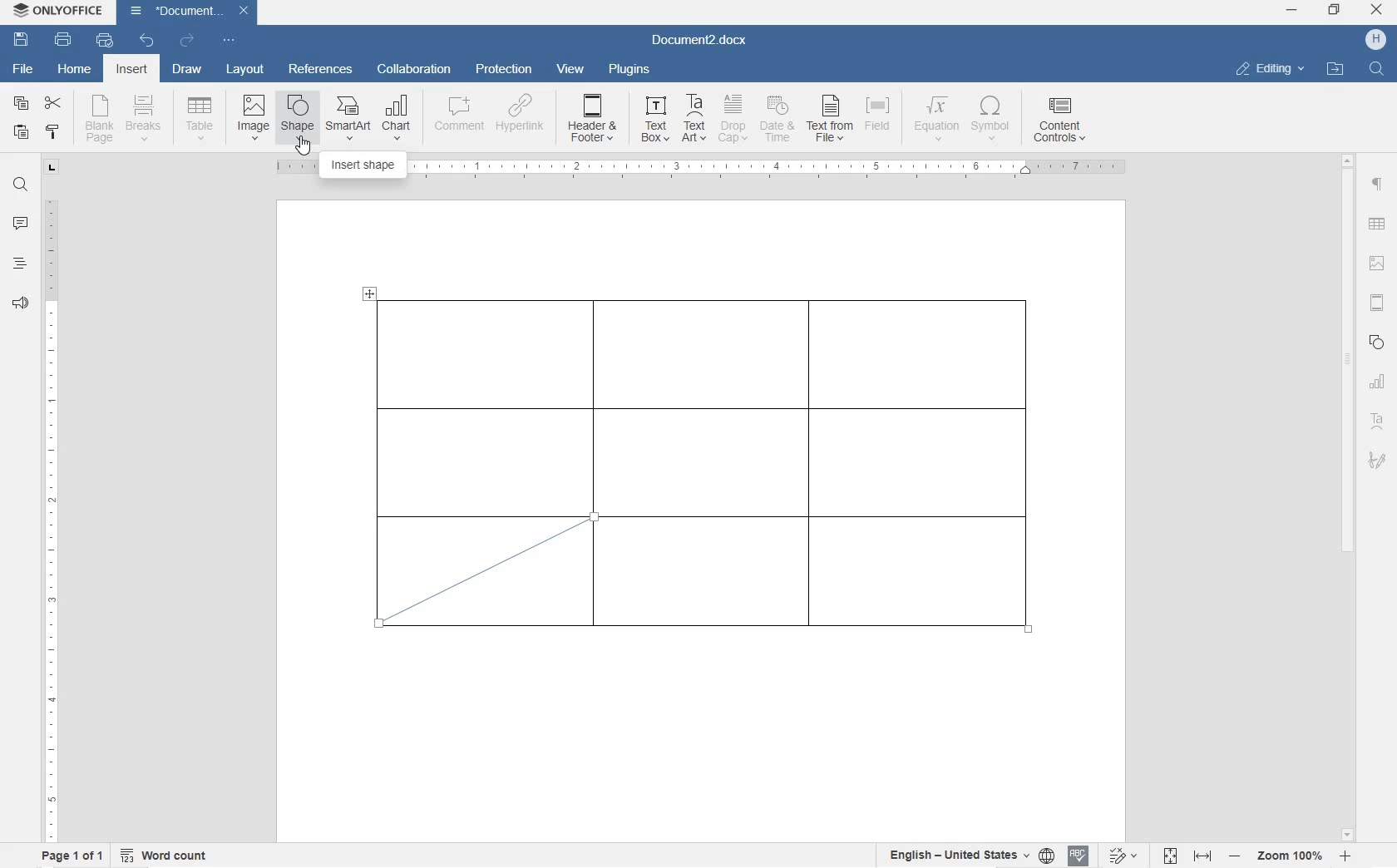  Describe the element at coordinates (593, 119) in the screenshot. I see `HEADER & OOTER` at that location.